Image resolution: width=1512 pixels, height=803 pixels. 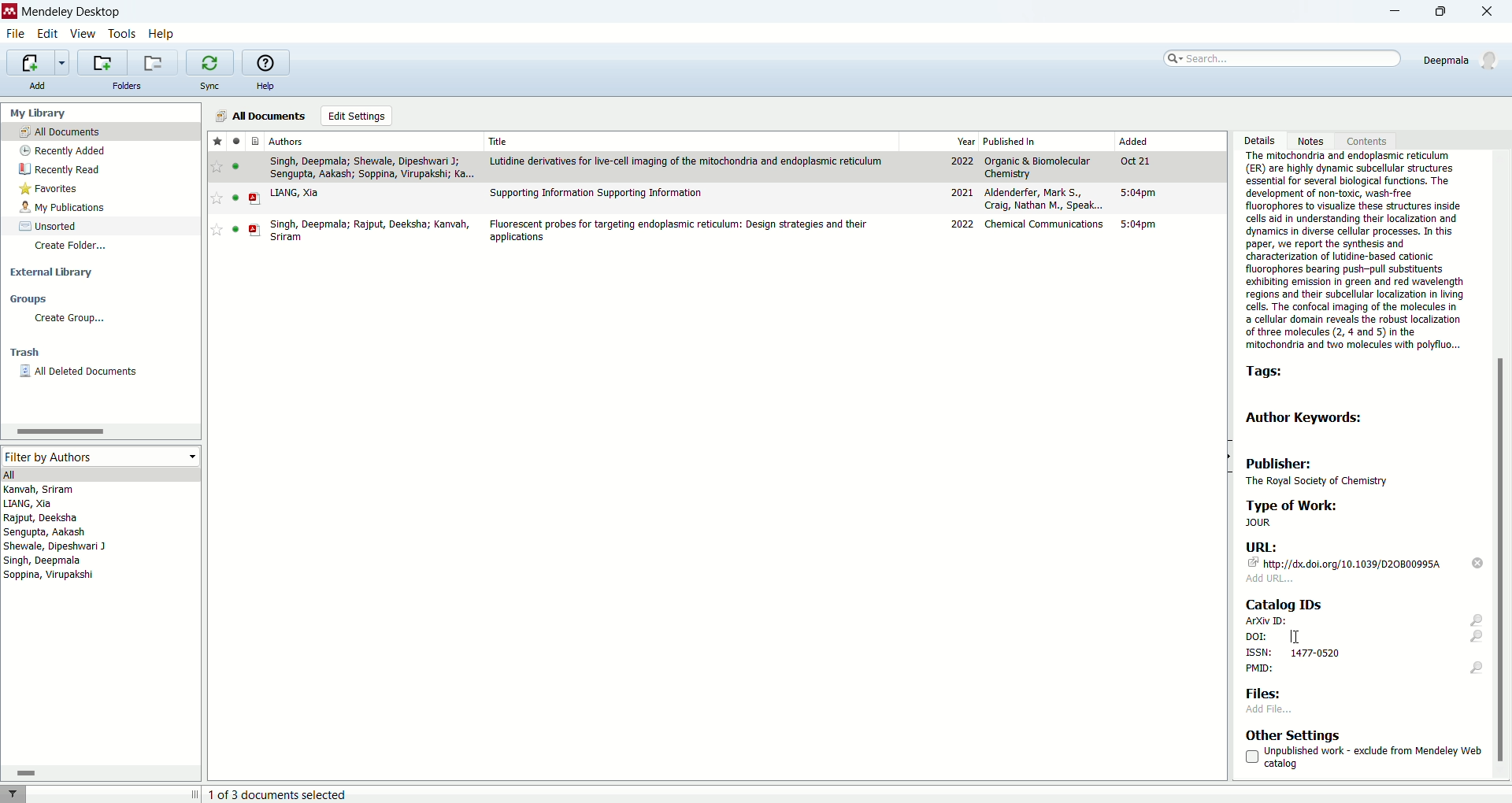 I want to click on toggle expand/contract, so click(x=195, y=794).